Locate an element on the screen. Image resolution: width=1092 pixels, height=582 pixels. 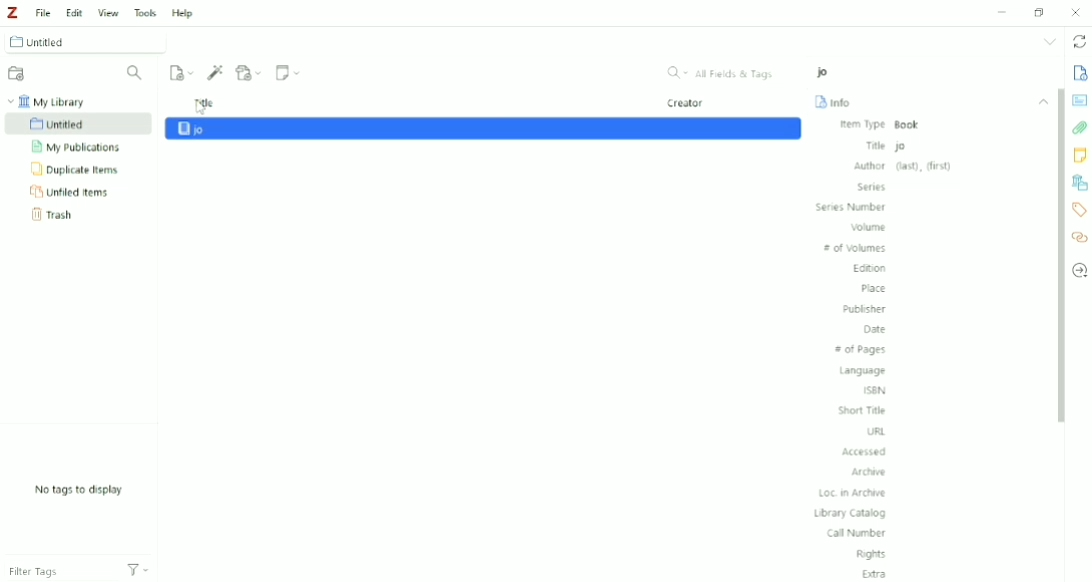
Add Attachment is located at coordinates (250, 71).